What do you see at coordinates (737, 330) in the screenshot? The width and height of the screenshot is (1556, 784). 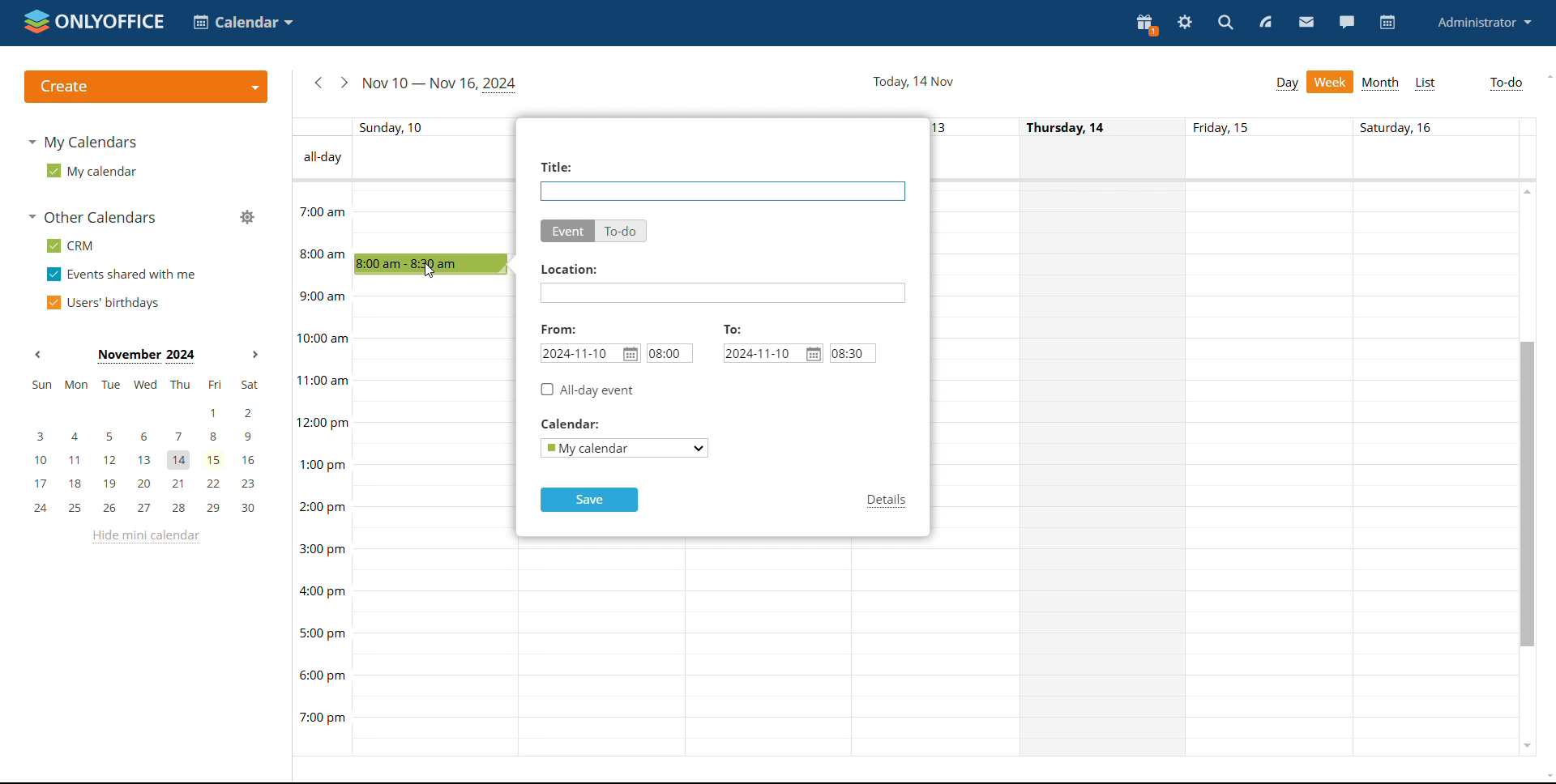 I see `to:` at bounding box center [737, 330].